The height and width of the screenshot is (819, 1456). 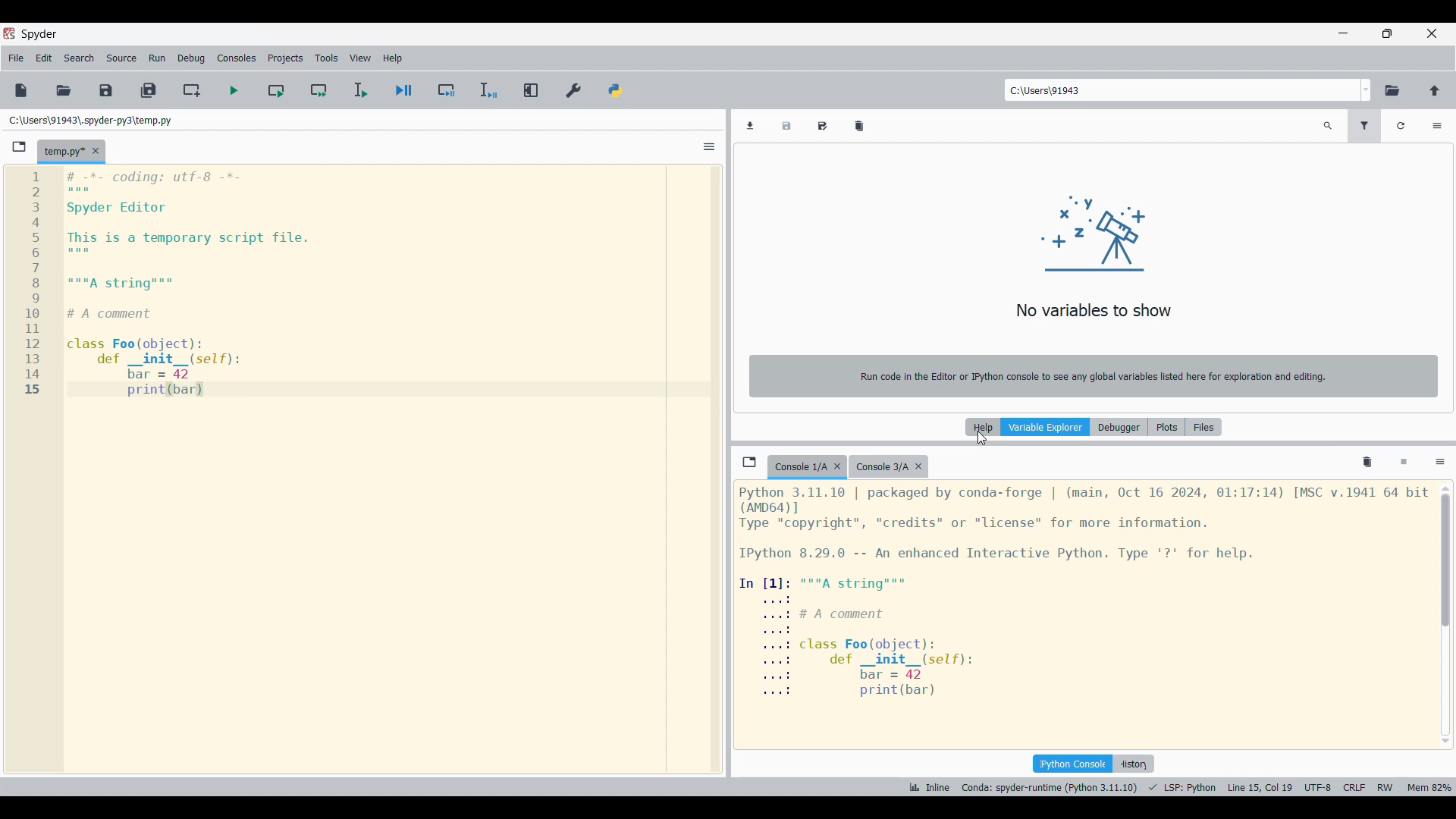 I want to click on File menu, so click(x=16, y=58).